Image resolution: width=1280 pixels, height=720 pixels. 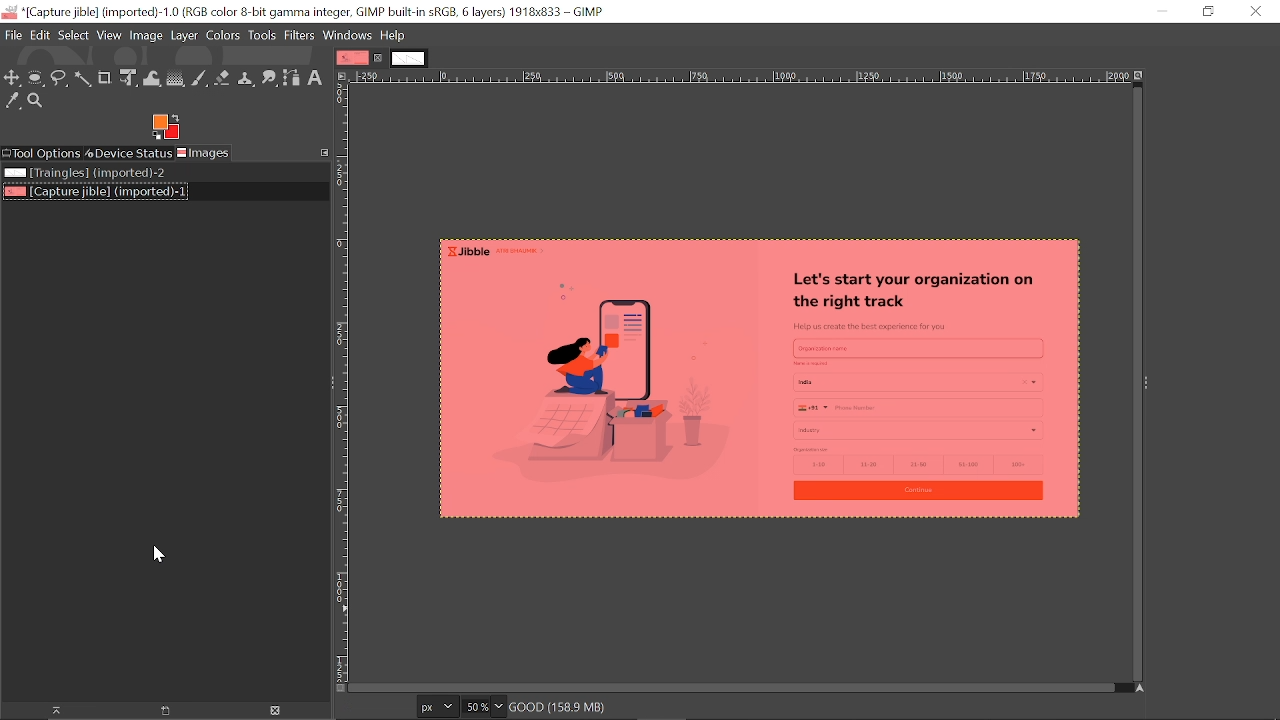 I want to click on Help, so click(x=392, y=36).